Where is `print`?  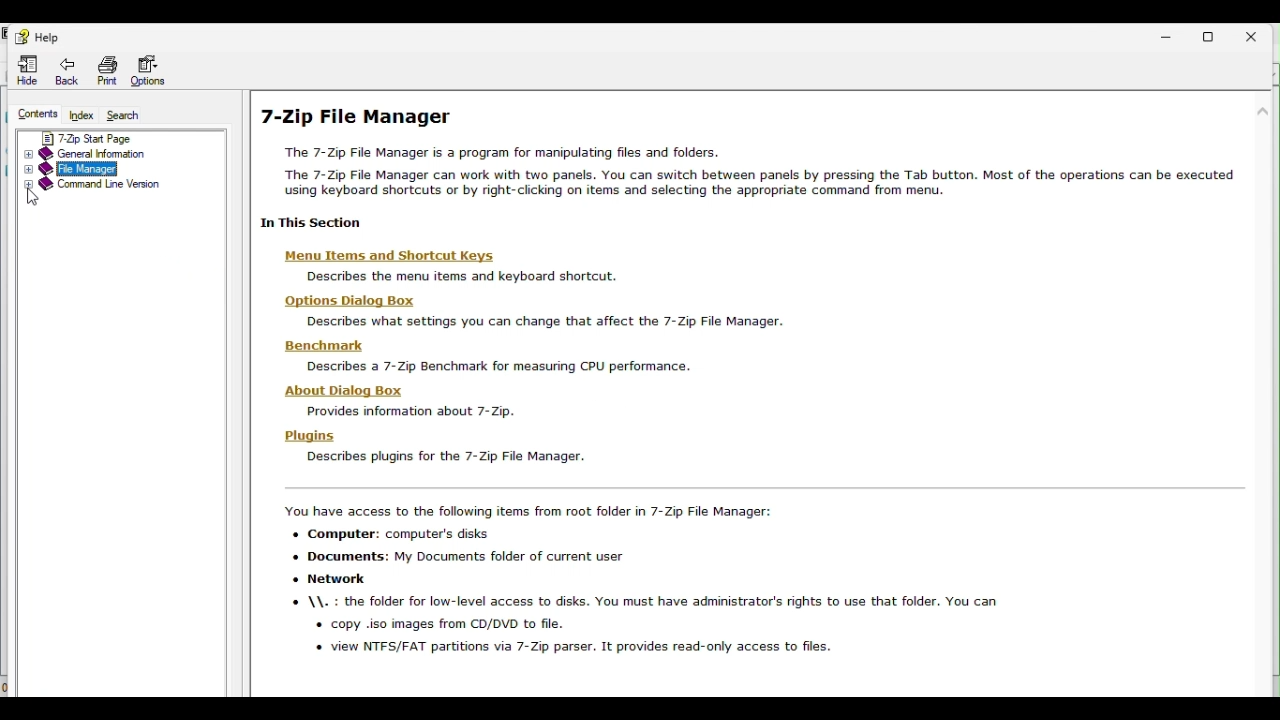
print is located at coordinates (106, 70).